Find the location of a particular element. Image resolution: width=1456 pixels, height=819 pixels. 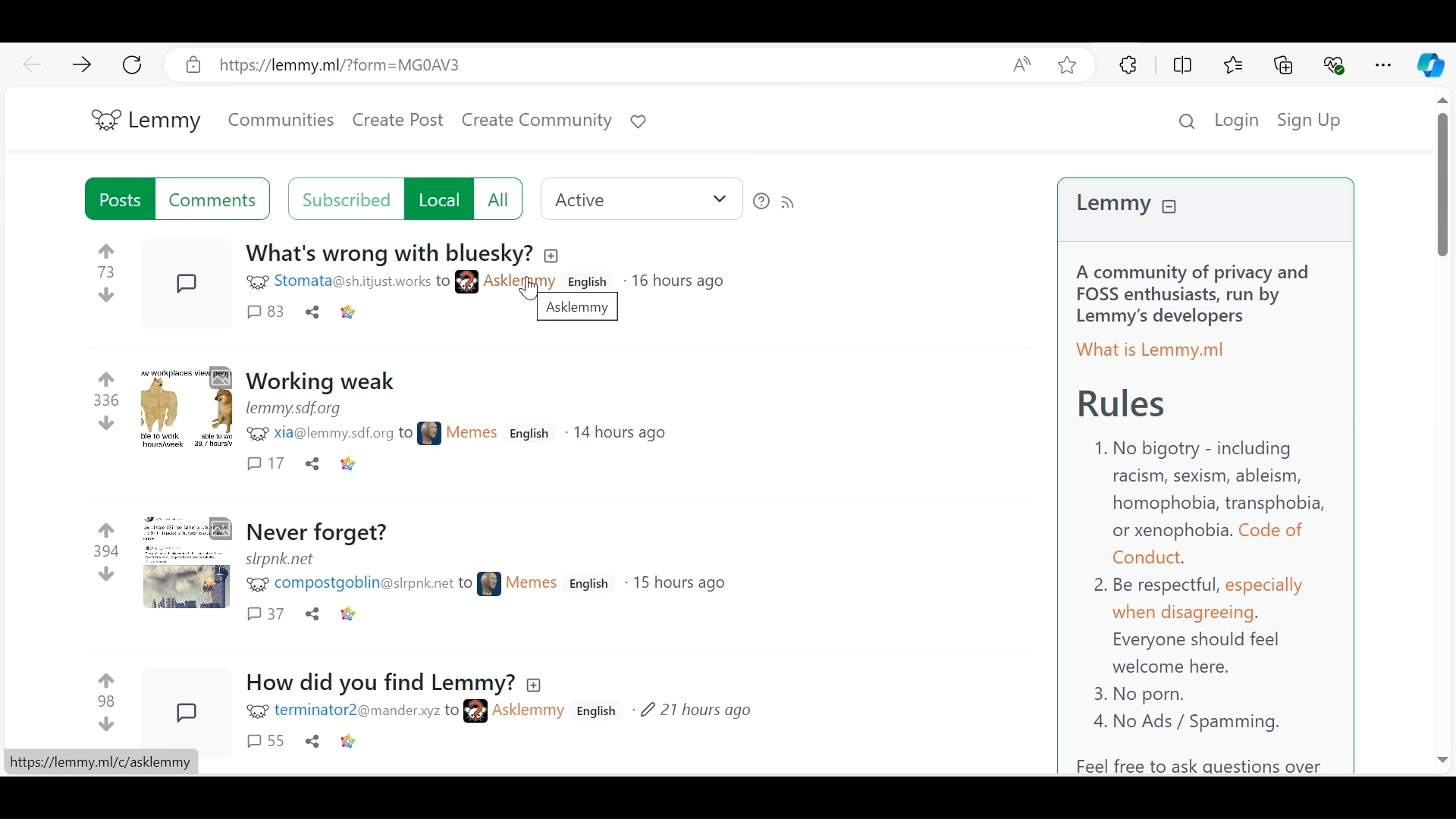

 is located at coordinates (535, 684).